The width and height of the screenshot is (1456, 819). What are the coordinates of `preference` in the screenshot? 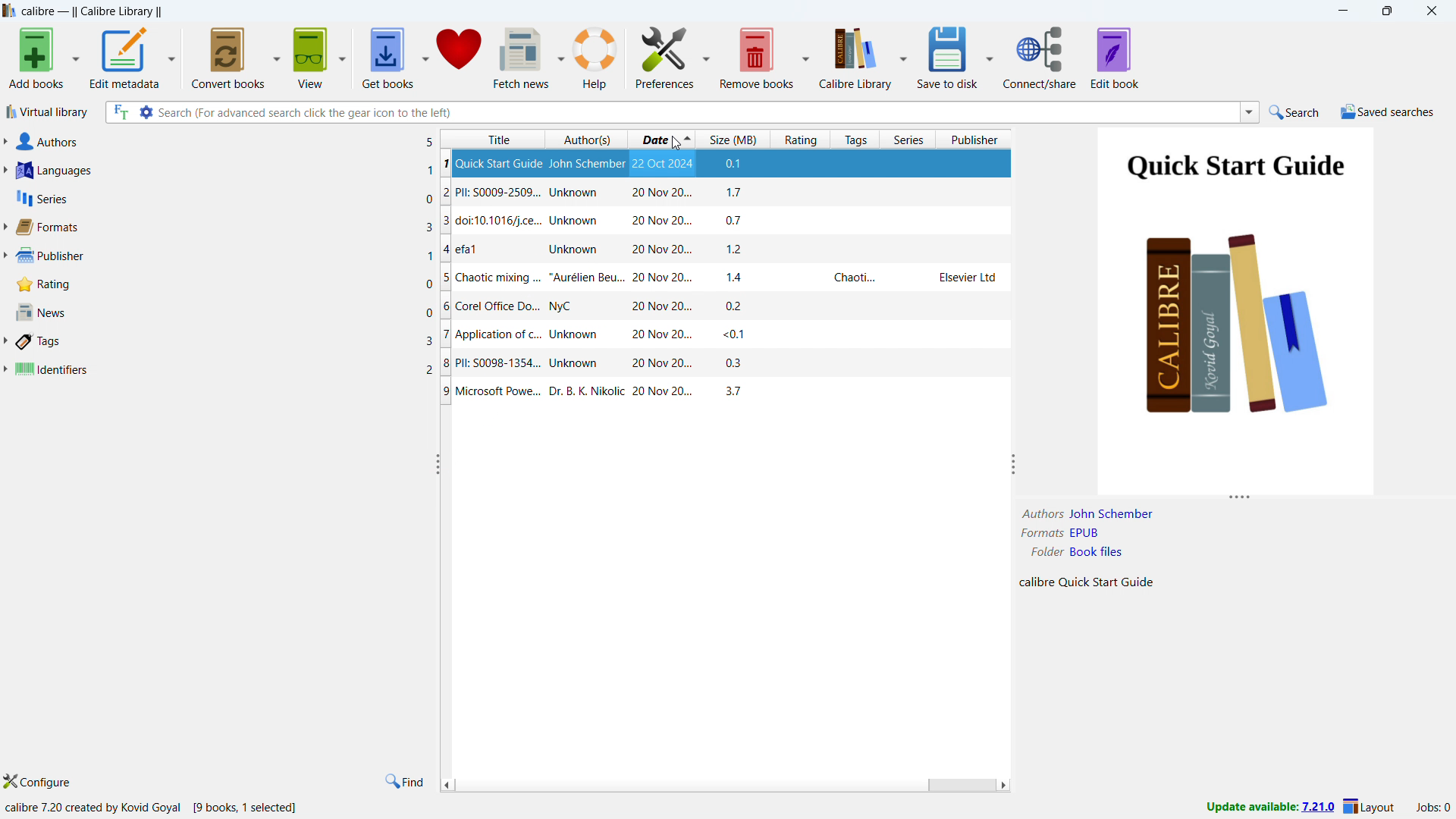 It's located at (665, 55).